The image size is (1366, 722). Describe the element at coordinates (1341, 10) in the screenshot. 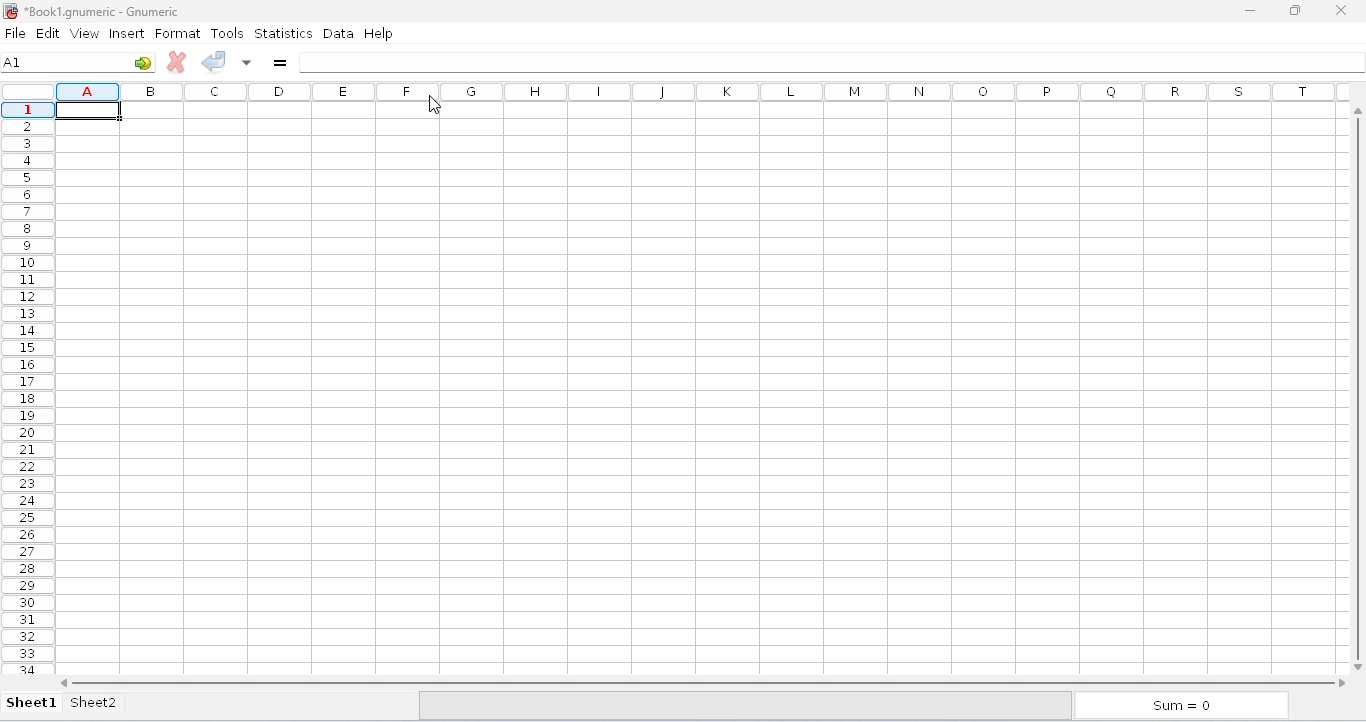

I see `close` at that location.